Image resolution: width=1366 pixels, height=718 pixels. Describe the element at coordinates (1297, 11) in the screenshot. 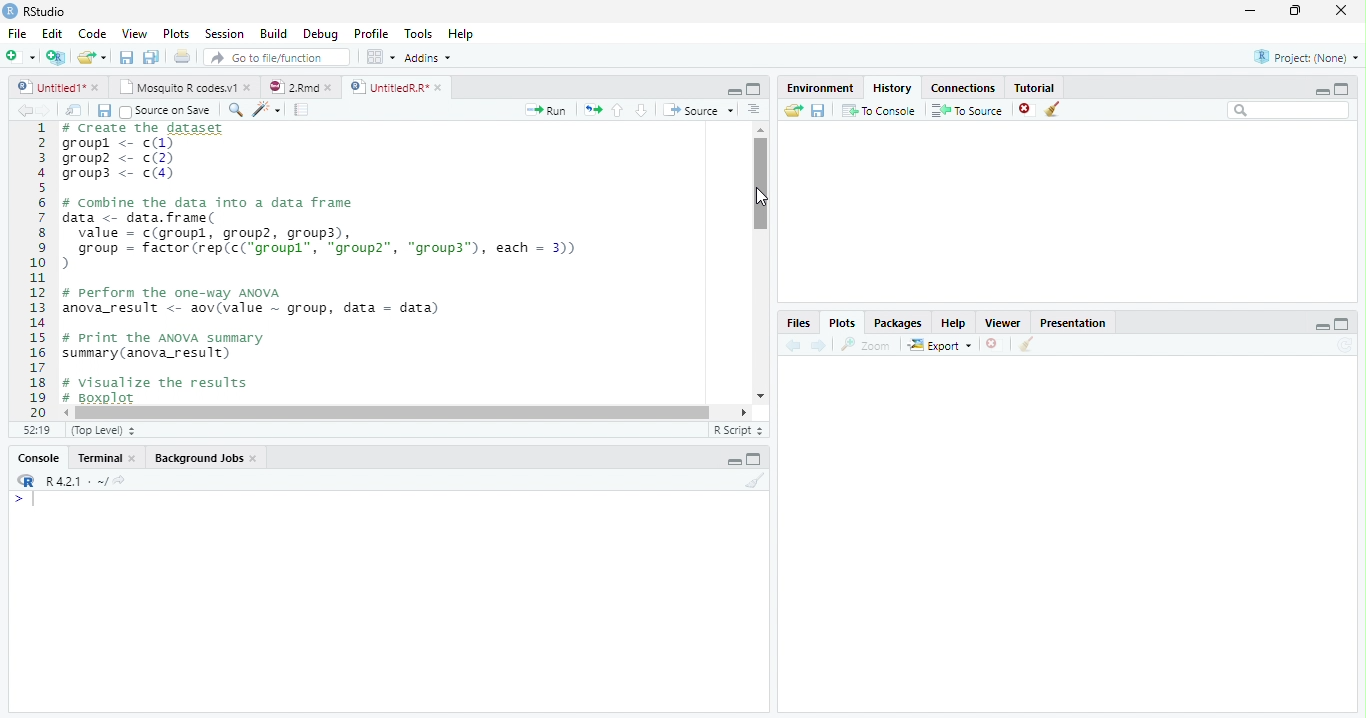

I see `Maximize` at that location.